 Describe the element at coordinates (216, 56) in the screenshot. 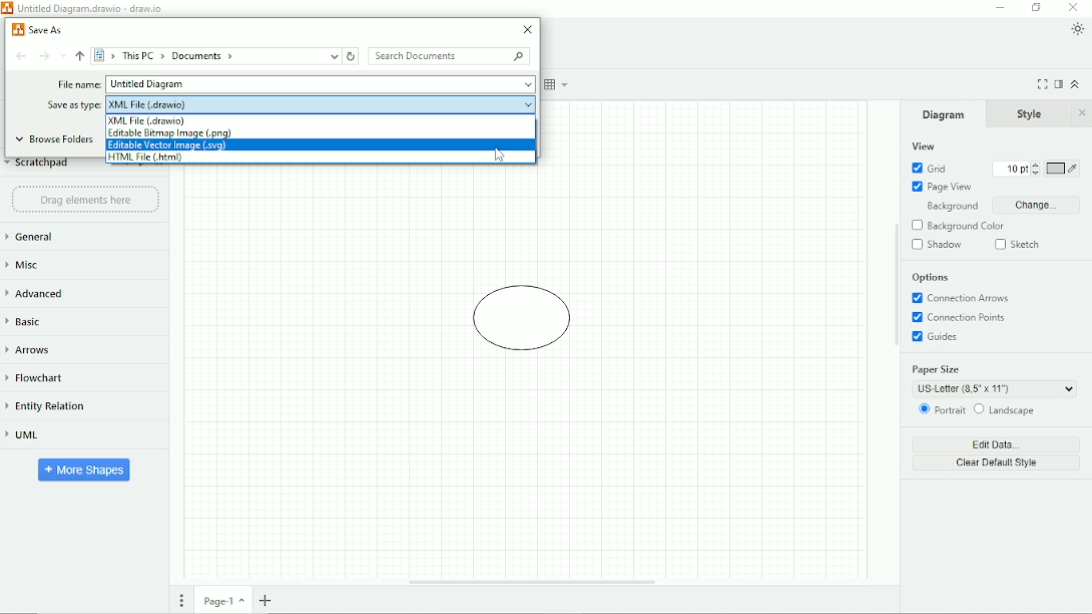

I see `> This PC > Documents >` at that location.